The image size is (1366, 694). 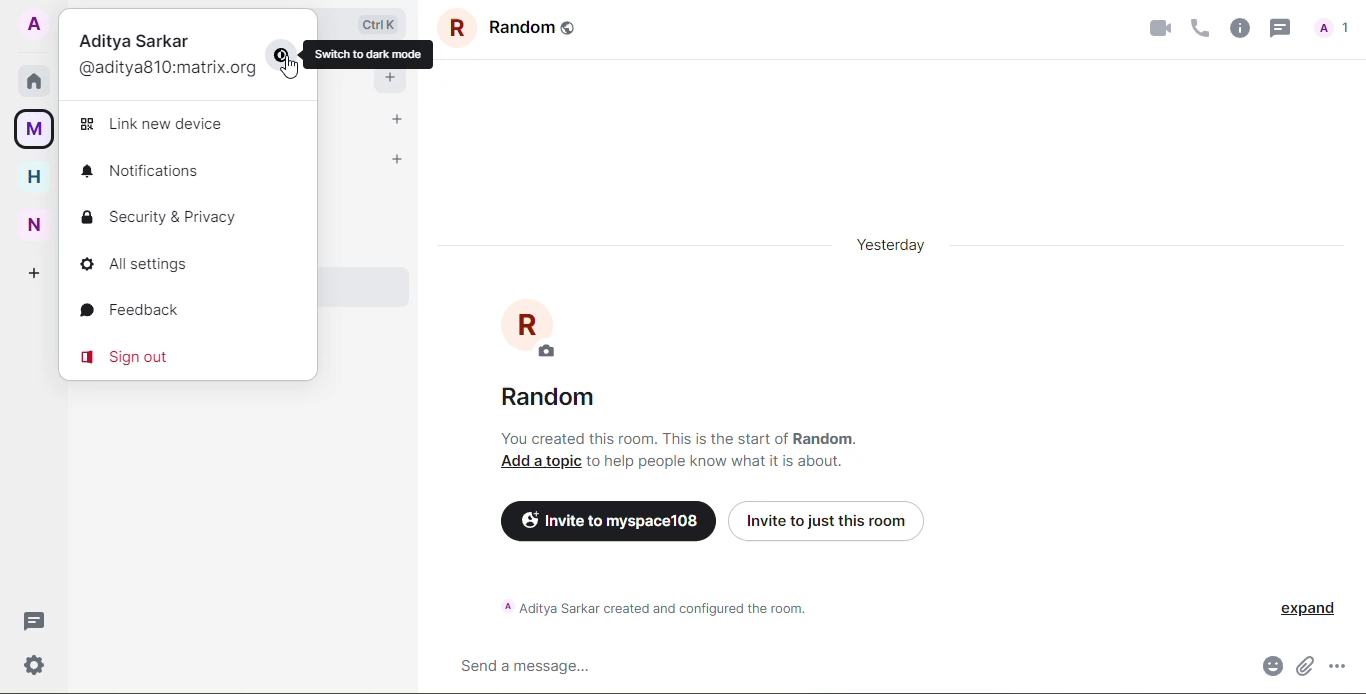 I want to click on add, so click(x=396, y=118).